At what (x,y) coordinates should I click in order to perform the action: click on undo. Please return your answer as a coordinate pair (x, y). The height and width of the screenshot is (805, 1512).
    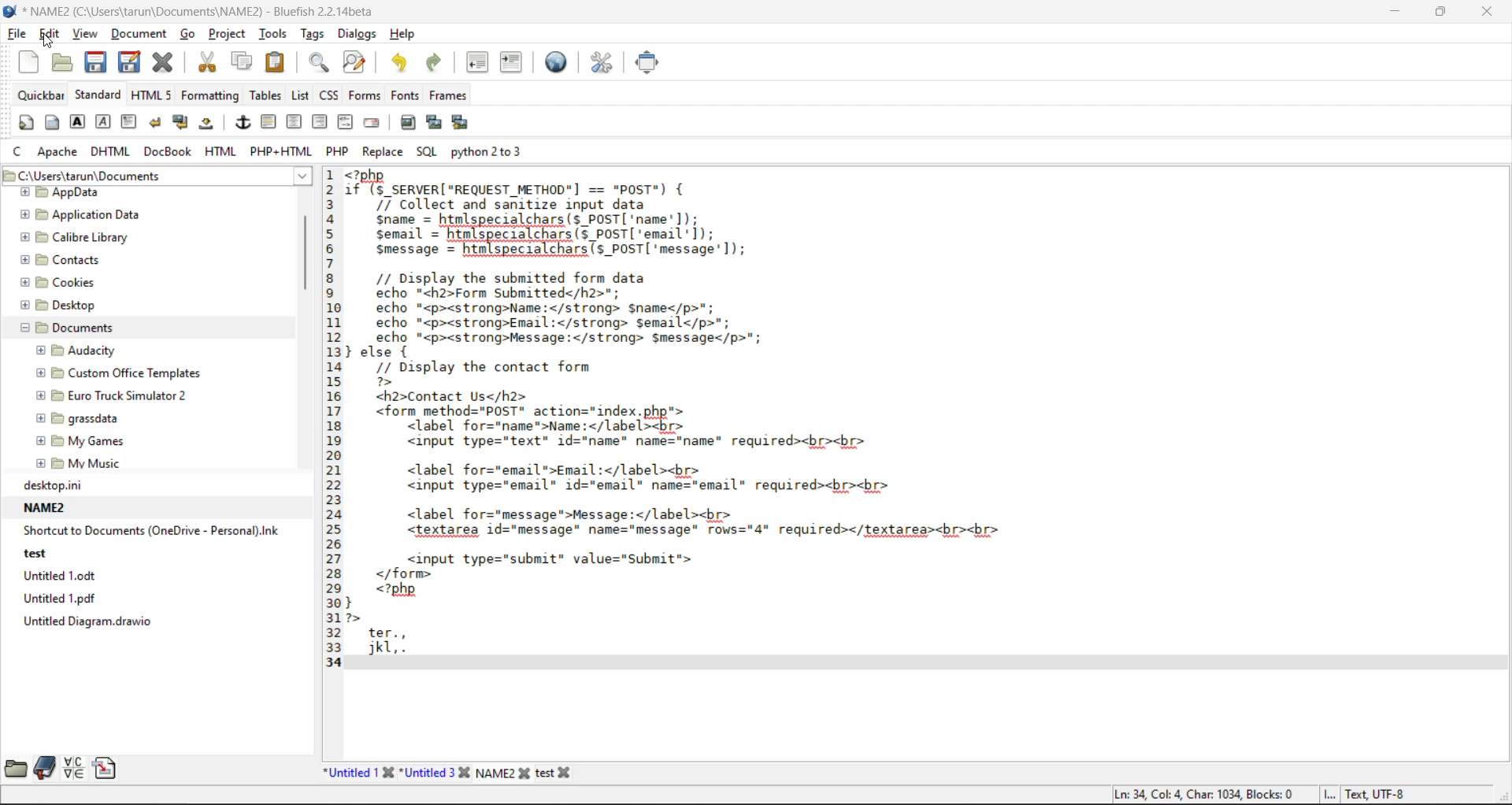
    Looking at the image, I should click on (399, 61).